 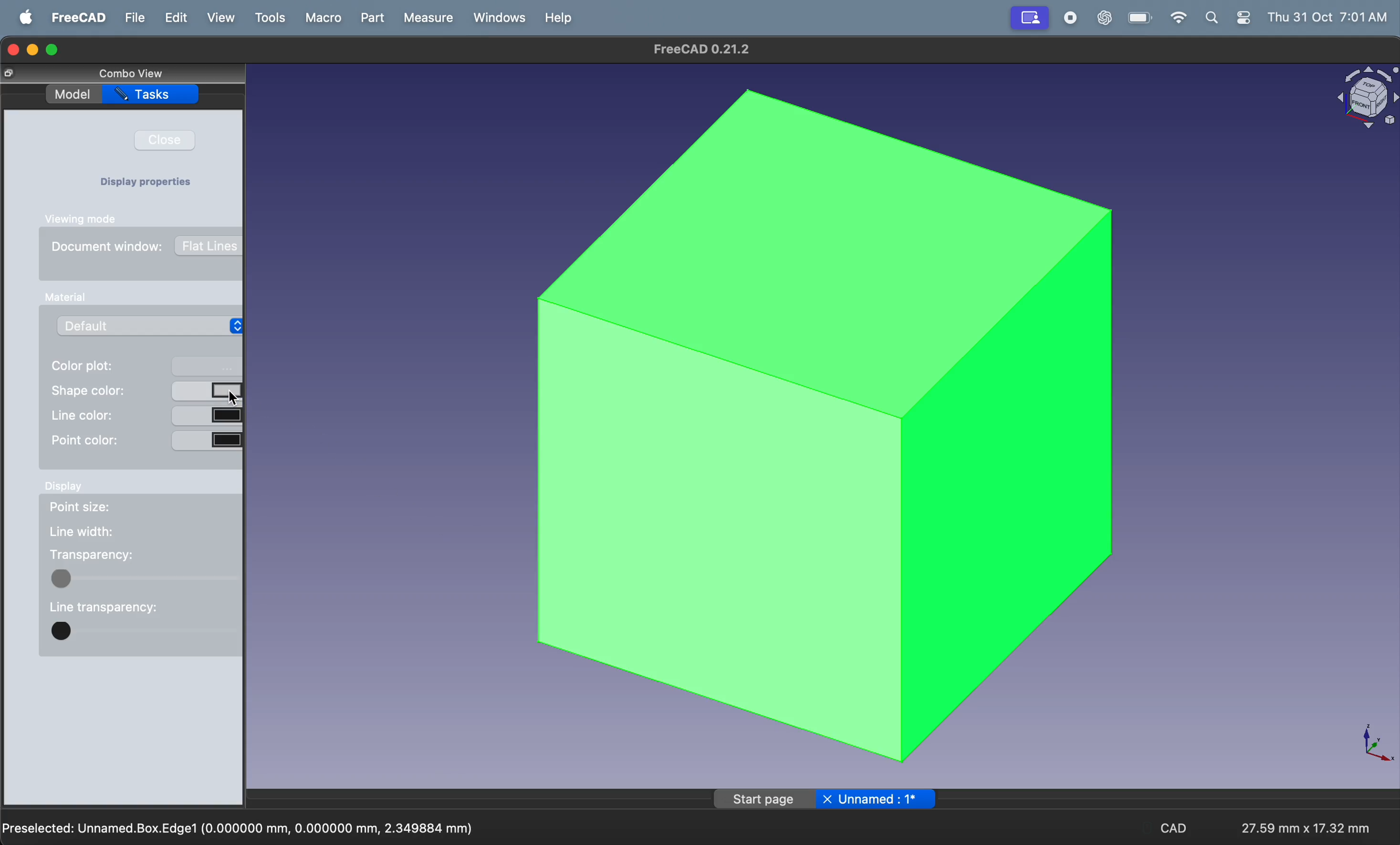 What do you see at coordinates (239, 398) in the screenshot?
I see `cursor` at bounding box center [239, 398].